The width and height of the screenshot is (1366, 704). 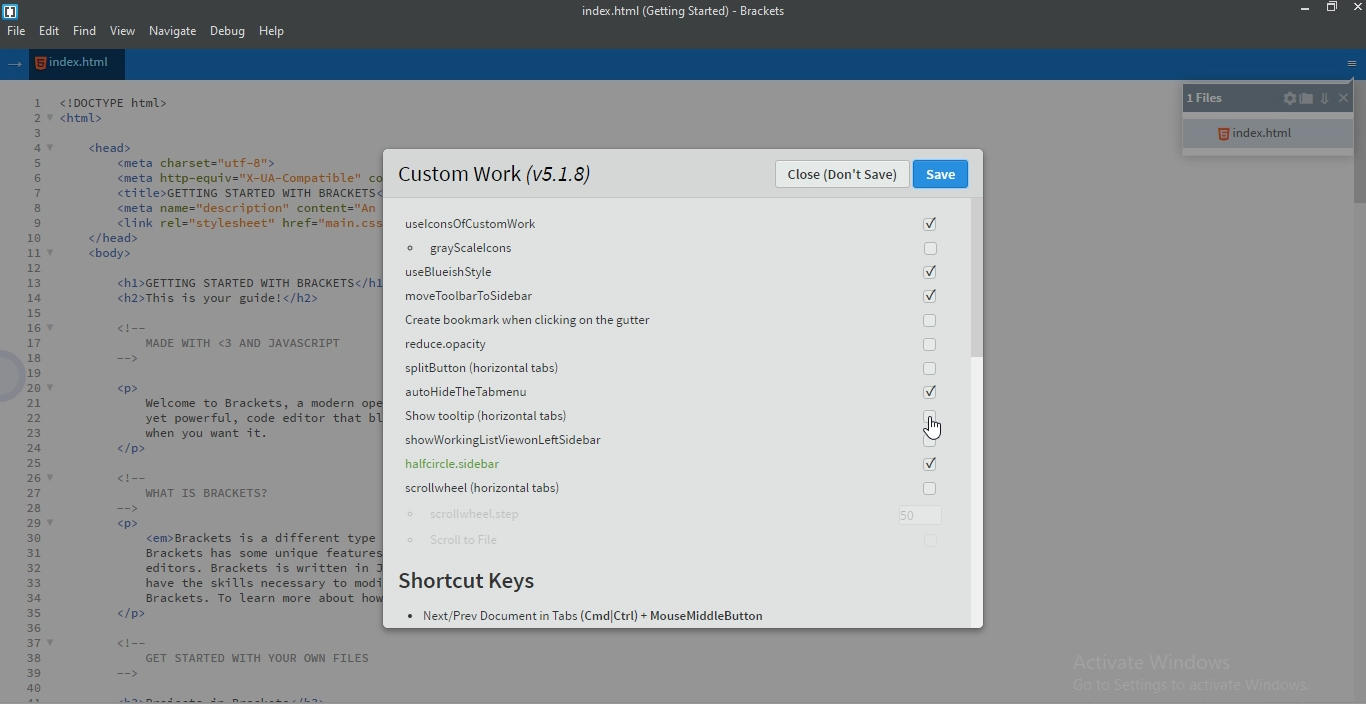 What do you see at coordinates (932, 428) in the screenshot?
I see `Cursor` at bounding box center [932, 428].